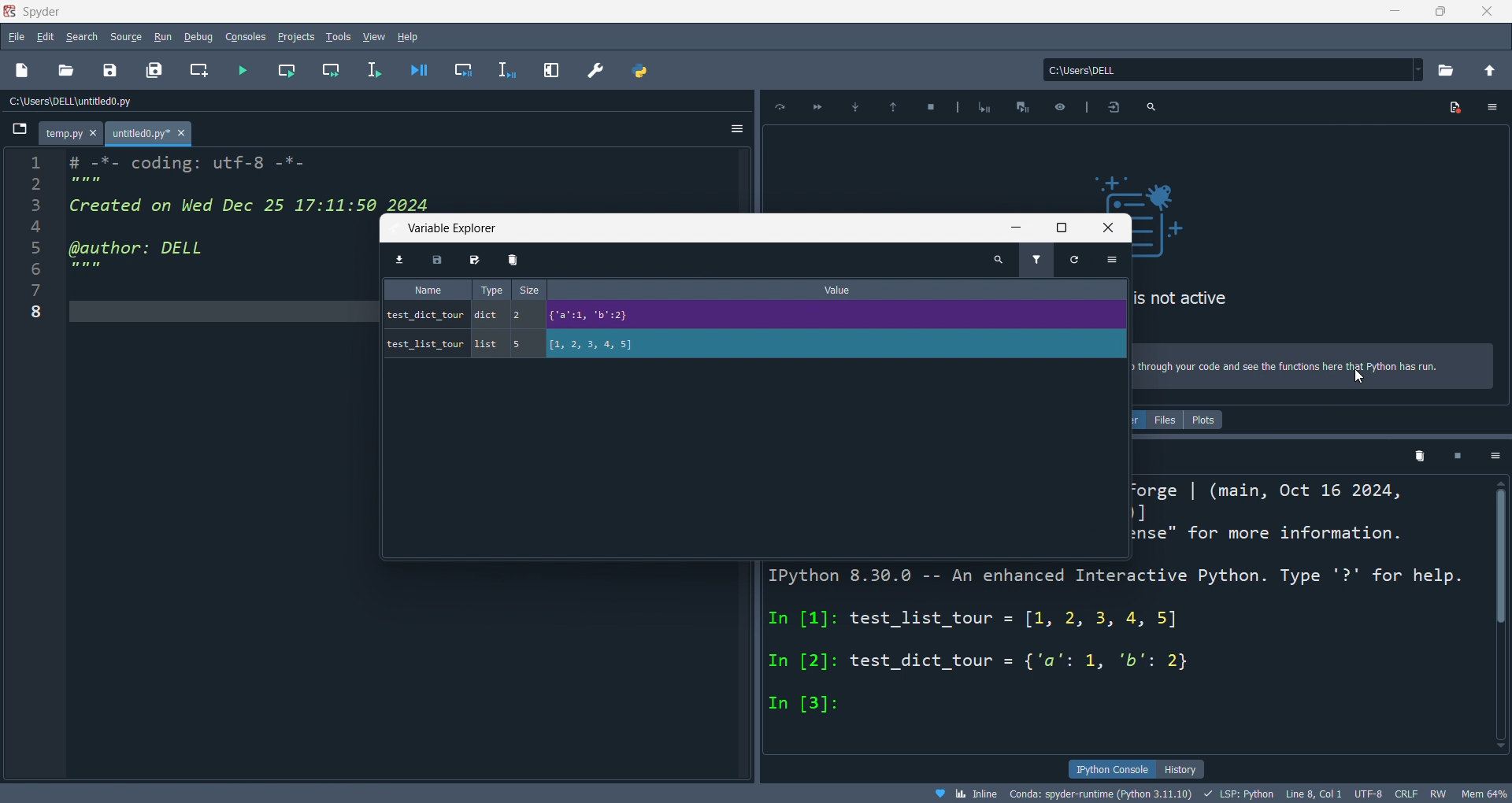 The height and width of the screenshot is (803, 1512). I want to click on minimize, so click(1391, 12).